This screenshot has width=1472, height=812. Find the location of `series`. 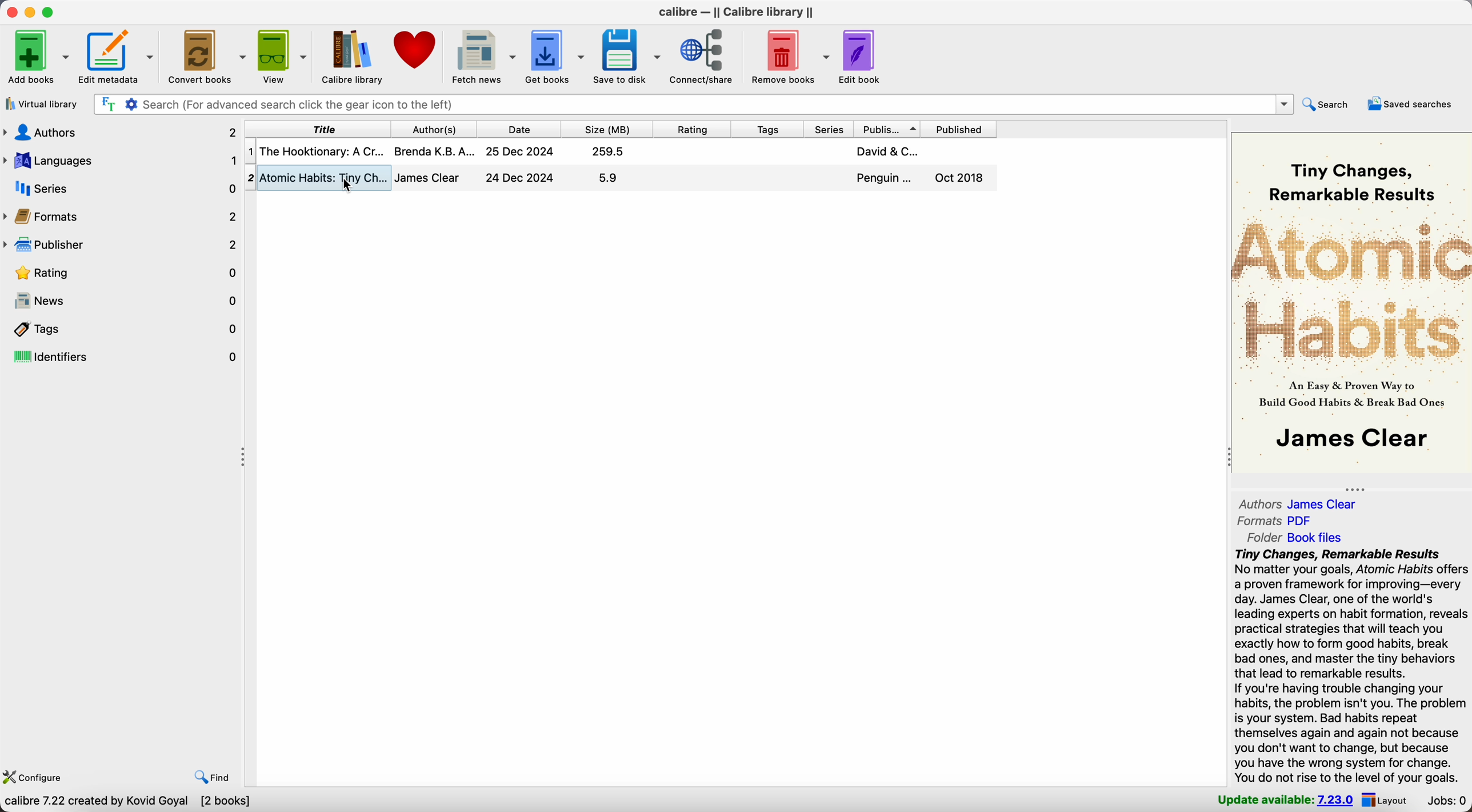

series is located at coordinates (121, 189).